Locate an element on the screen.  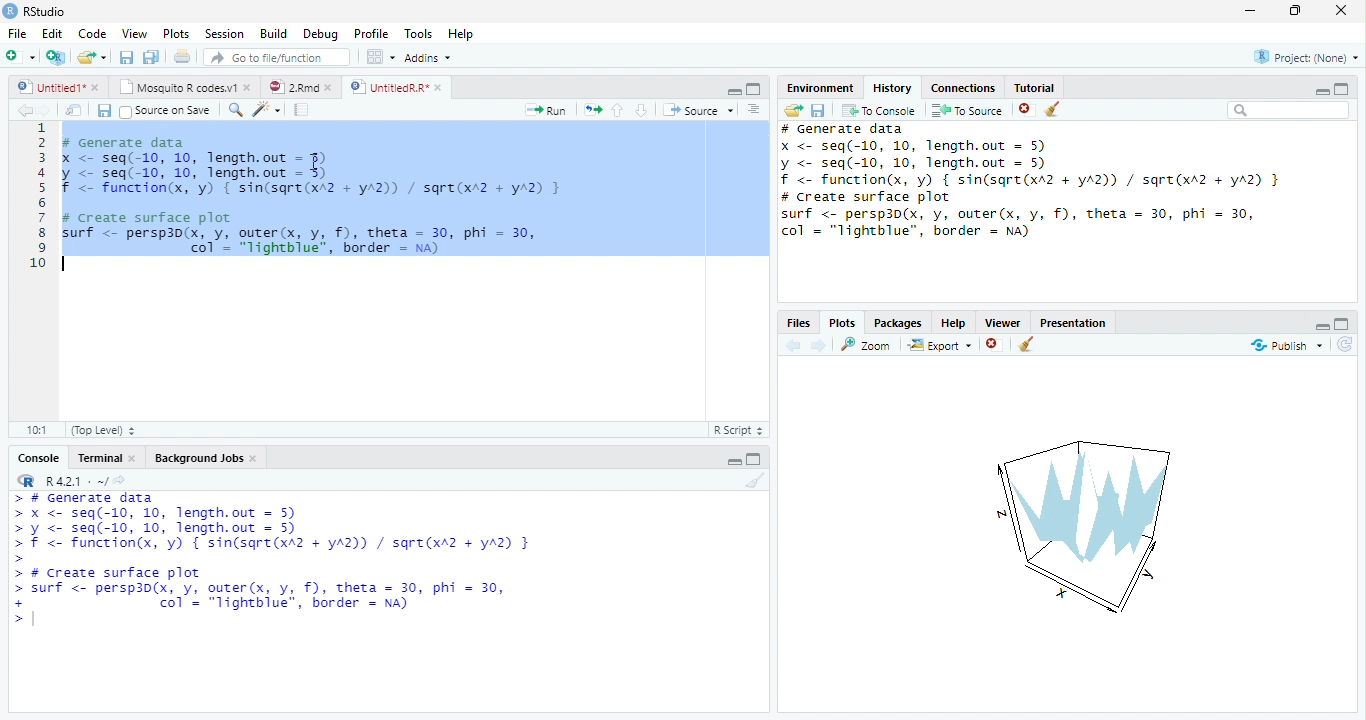
Create a project is located at coordinates (54, 57).